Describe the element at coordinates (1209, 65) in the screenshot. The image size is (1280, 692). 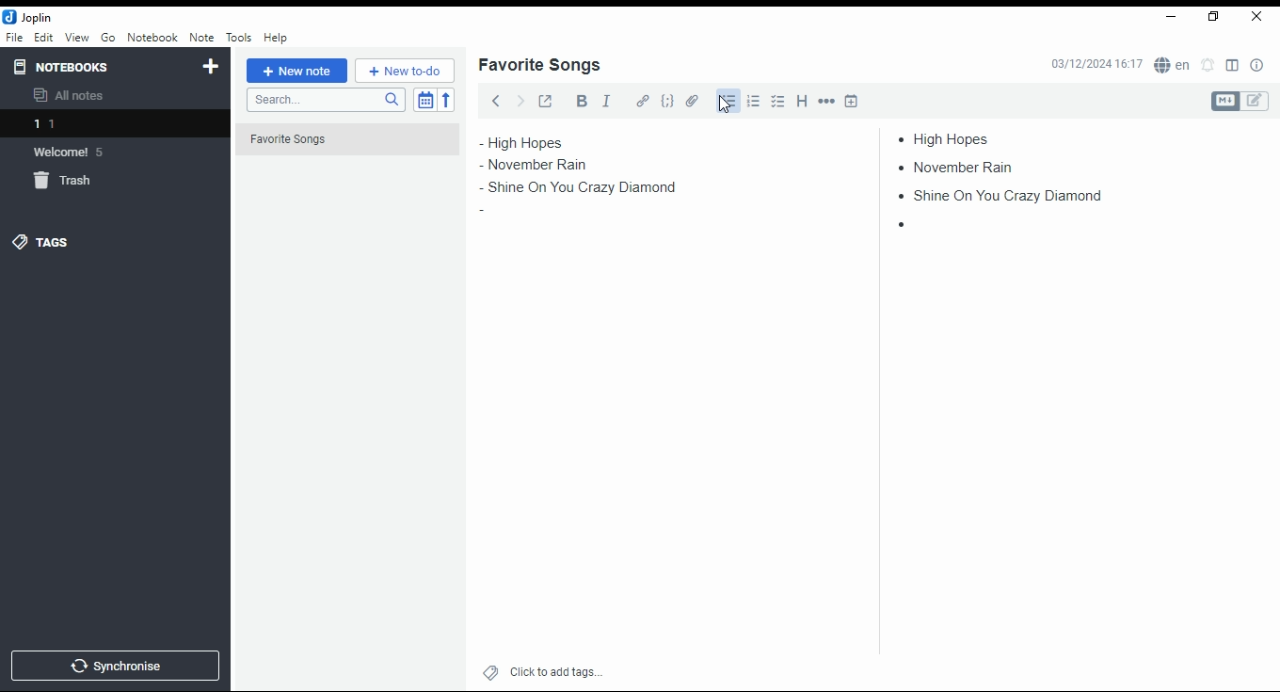
I see `set alarm` at that location.